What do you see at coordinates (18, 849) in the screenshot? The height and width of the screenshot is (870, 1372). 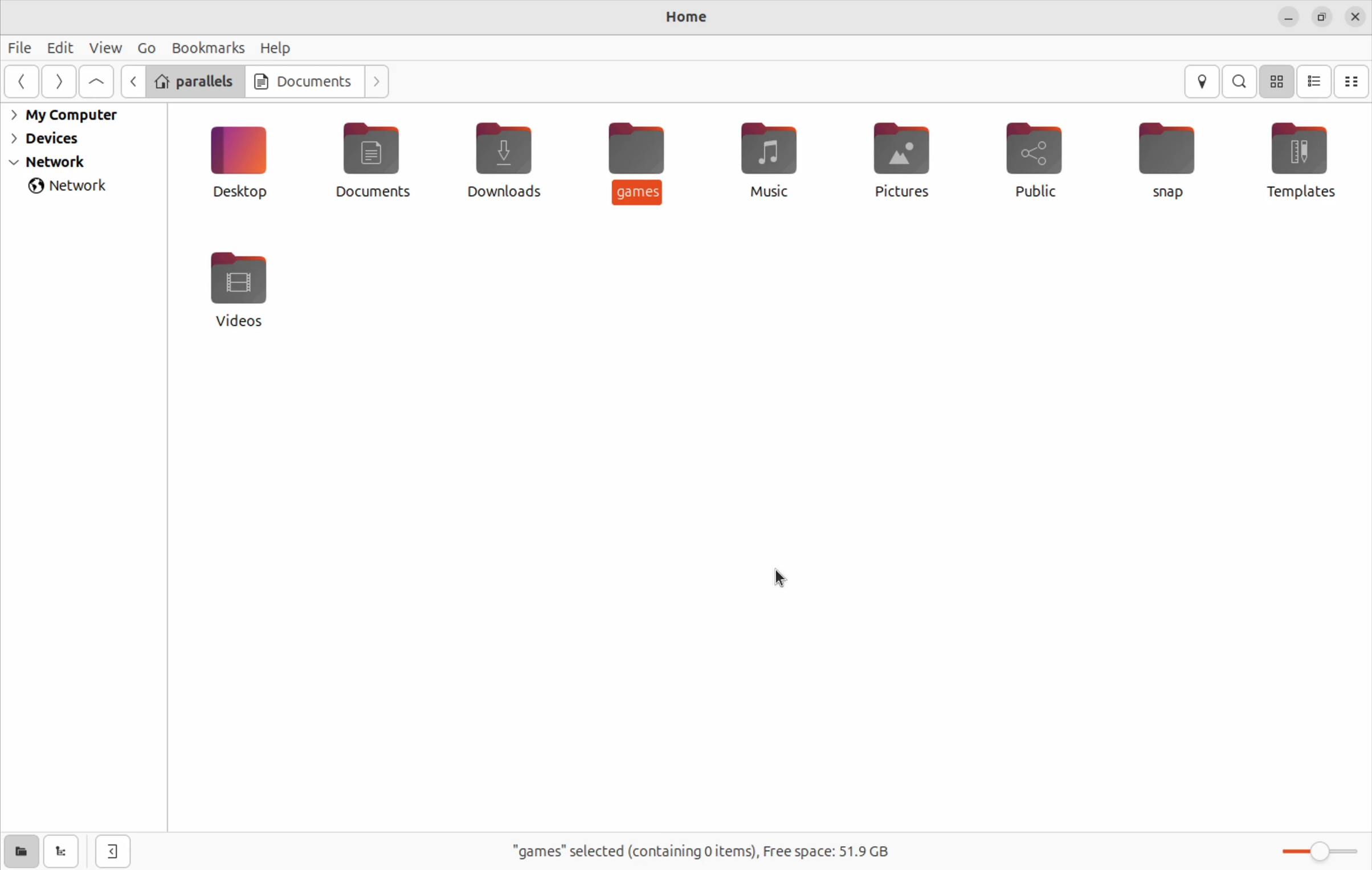 I see `show places` at bounding box center [18, 849].